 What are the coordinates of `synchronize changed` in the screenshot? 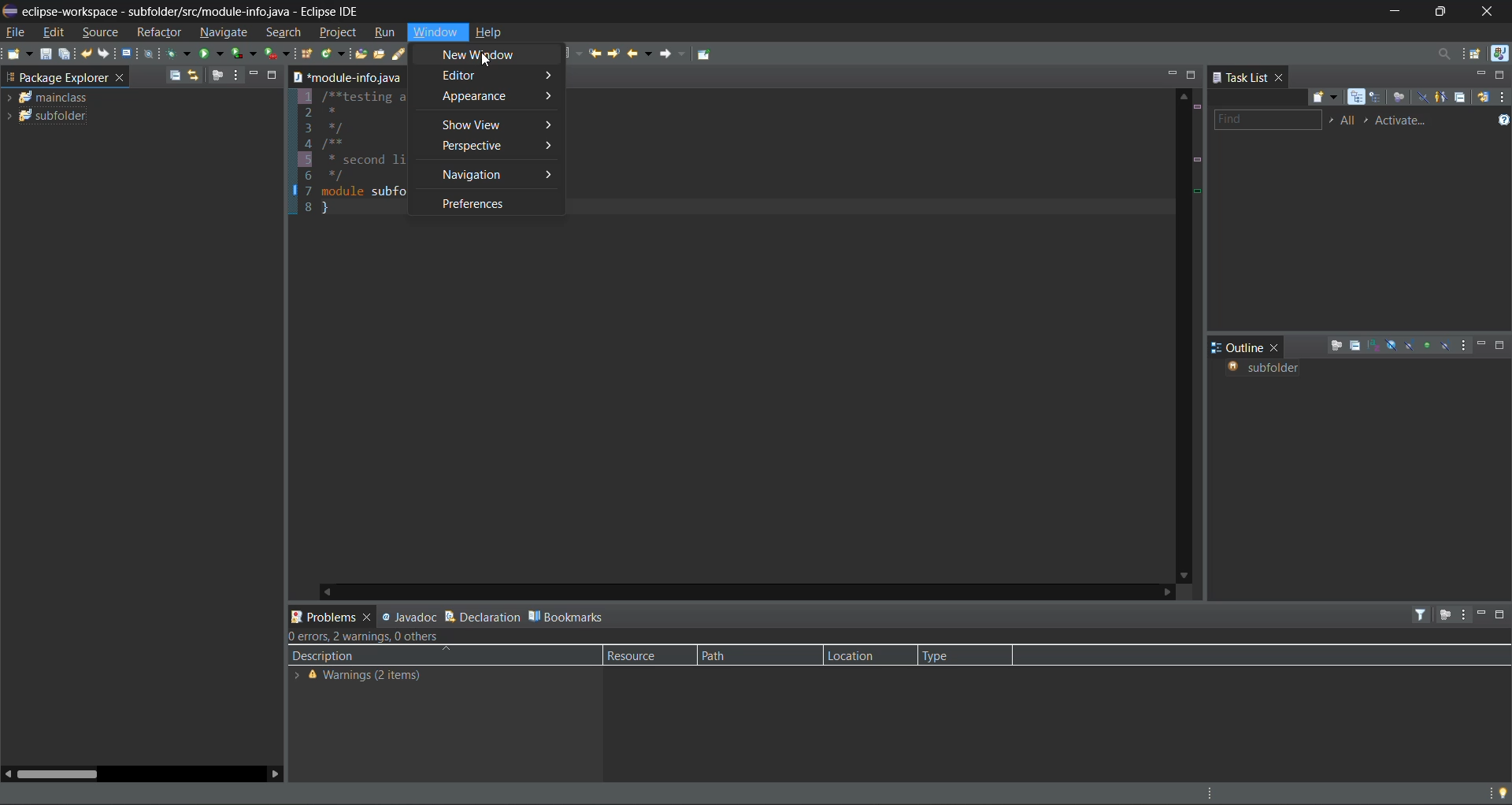 It's located at (1483, 98).